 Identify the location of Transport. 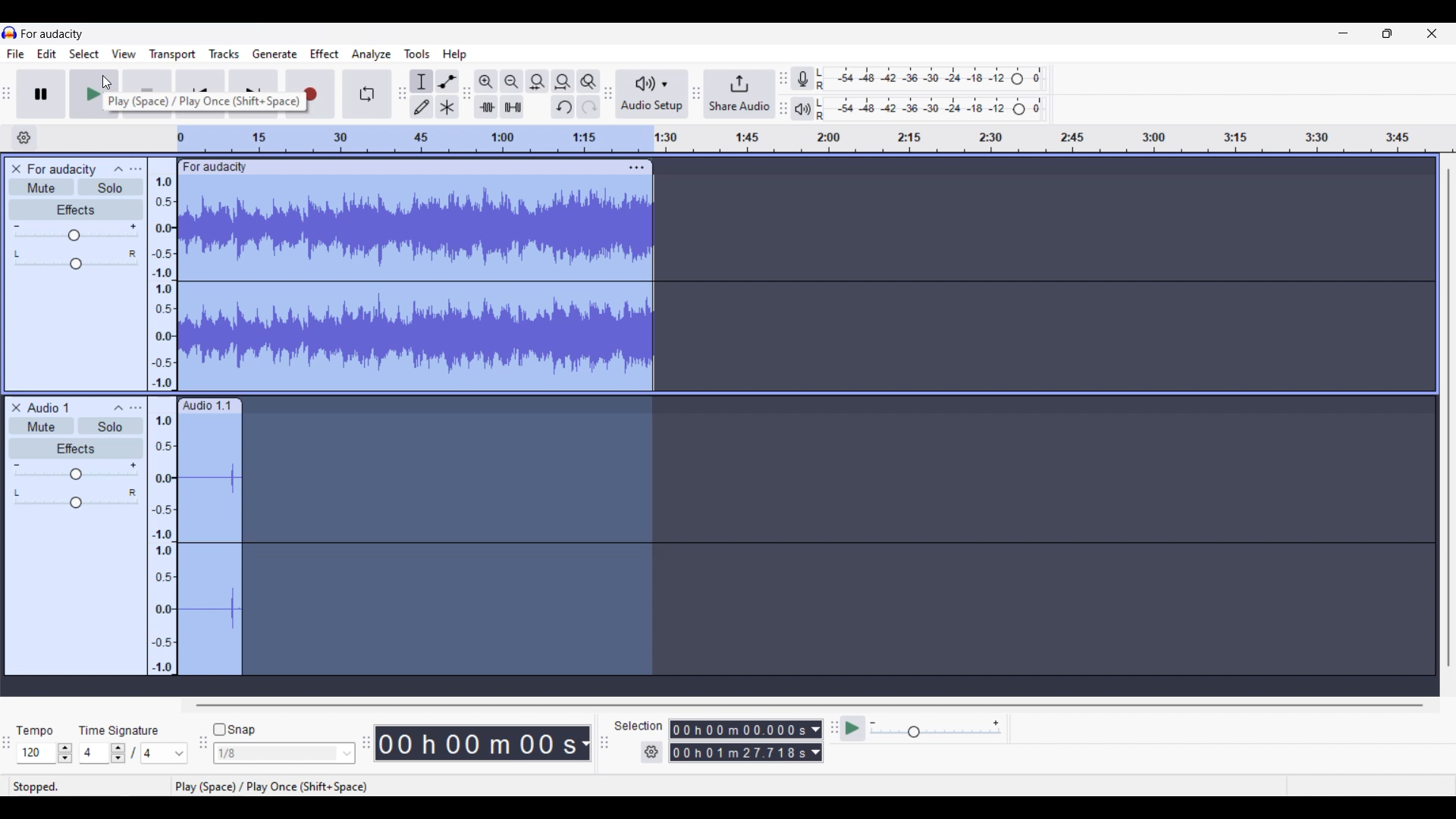
(172, 54).